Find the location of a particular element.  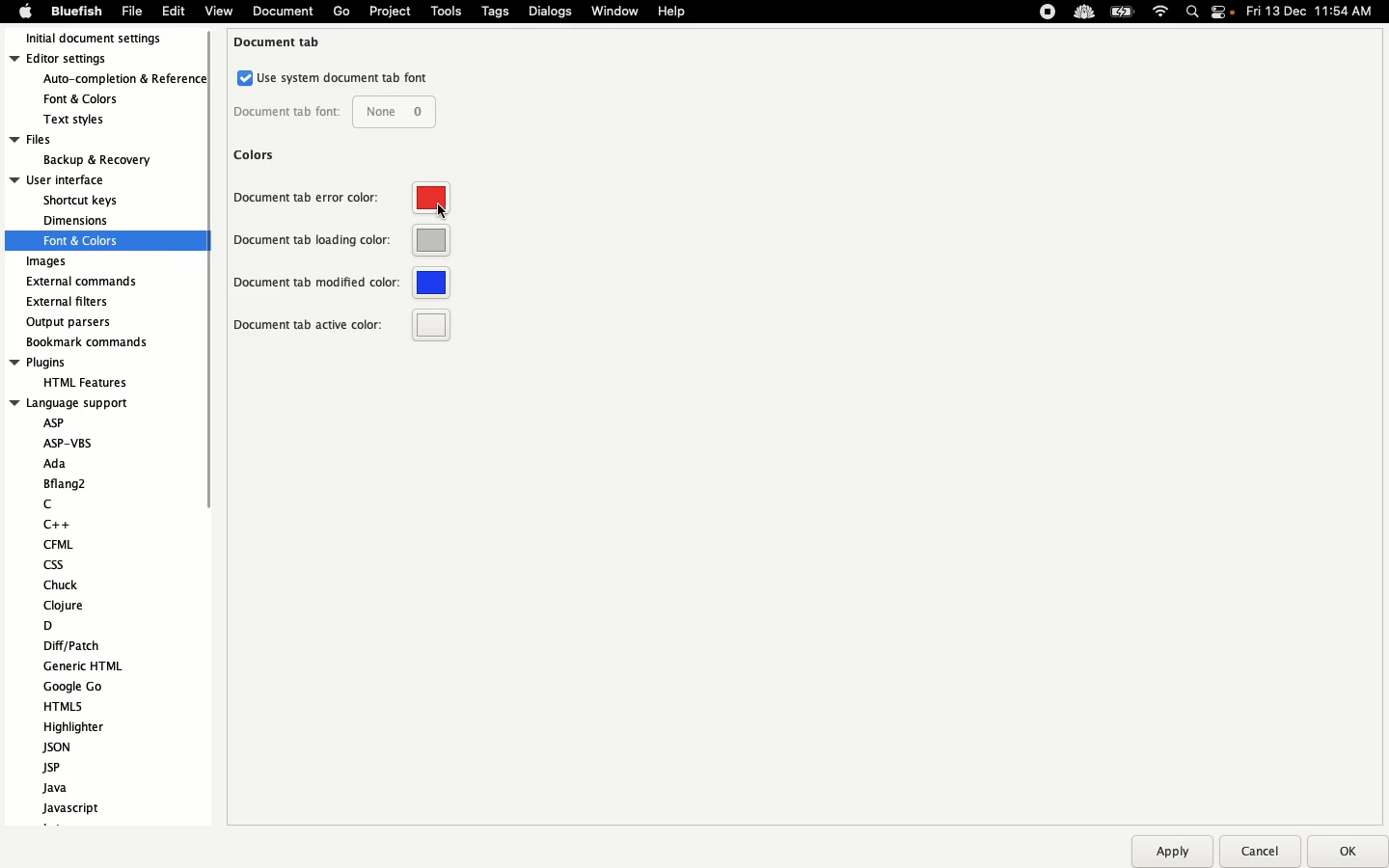

auto-completion & refrences is located at coordinates (126, 80).